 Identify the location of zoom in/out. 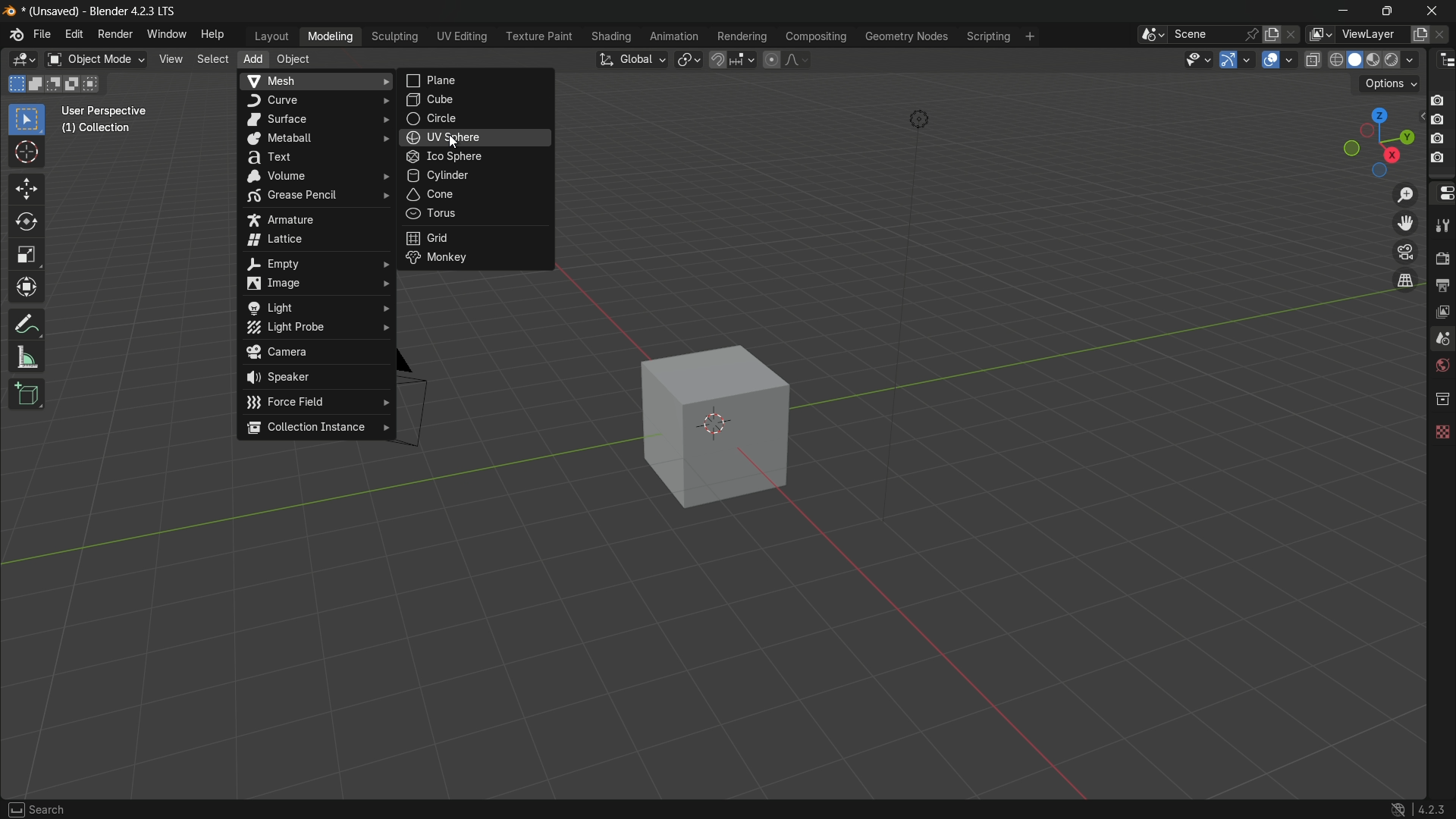
(1403, 193).